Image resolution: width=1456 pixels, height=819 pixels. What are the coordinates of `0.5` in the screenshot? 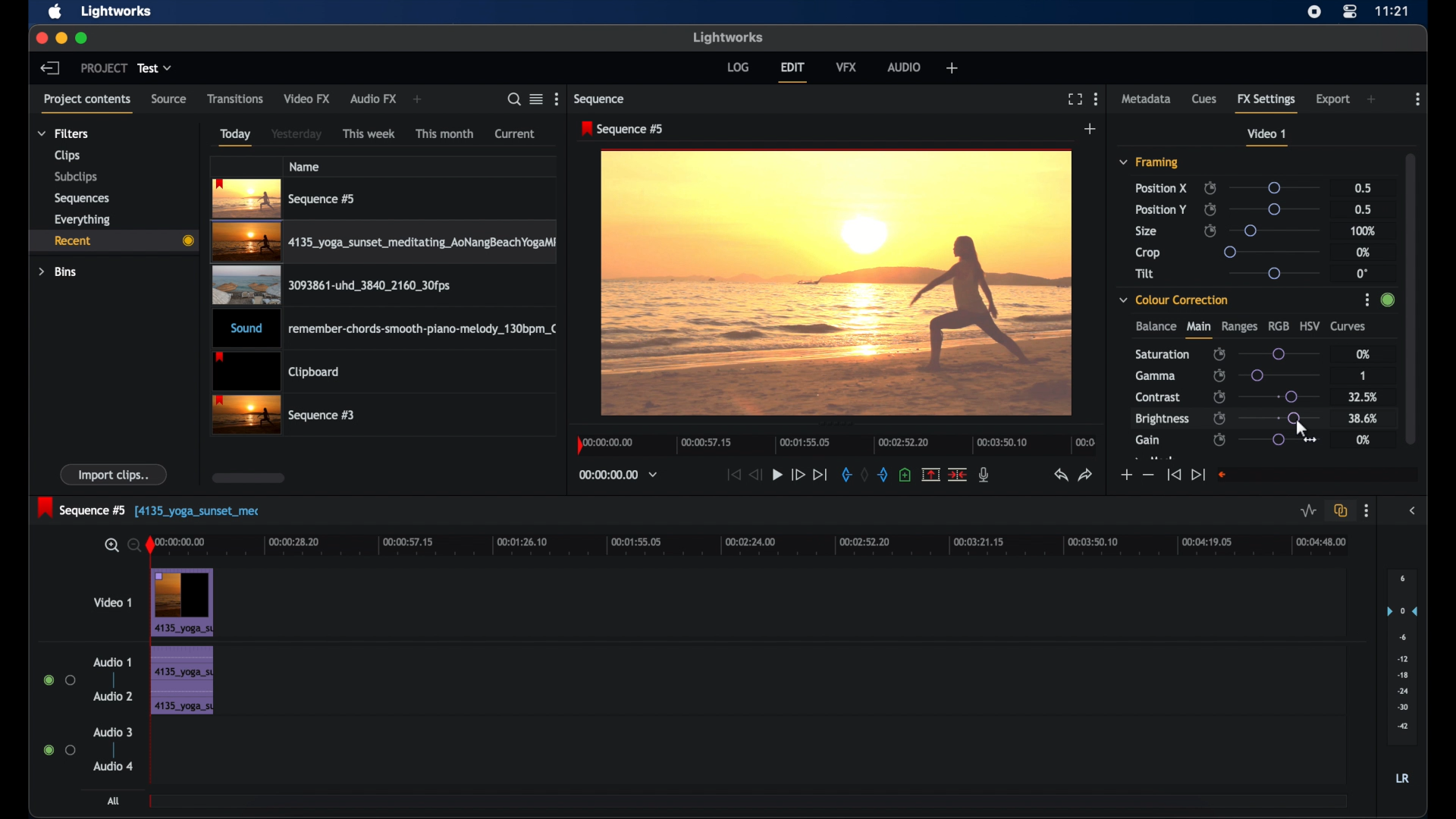 It's located at (1363, 187).